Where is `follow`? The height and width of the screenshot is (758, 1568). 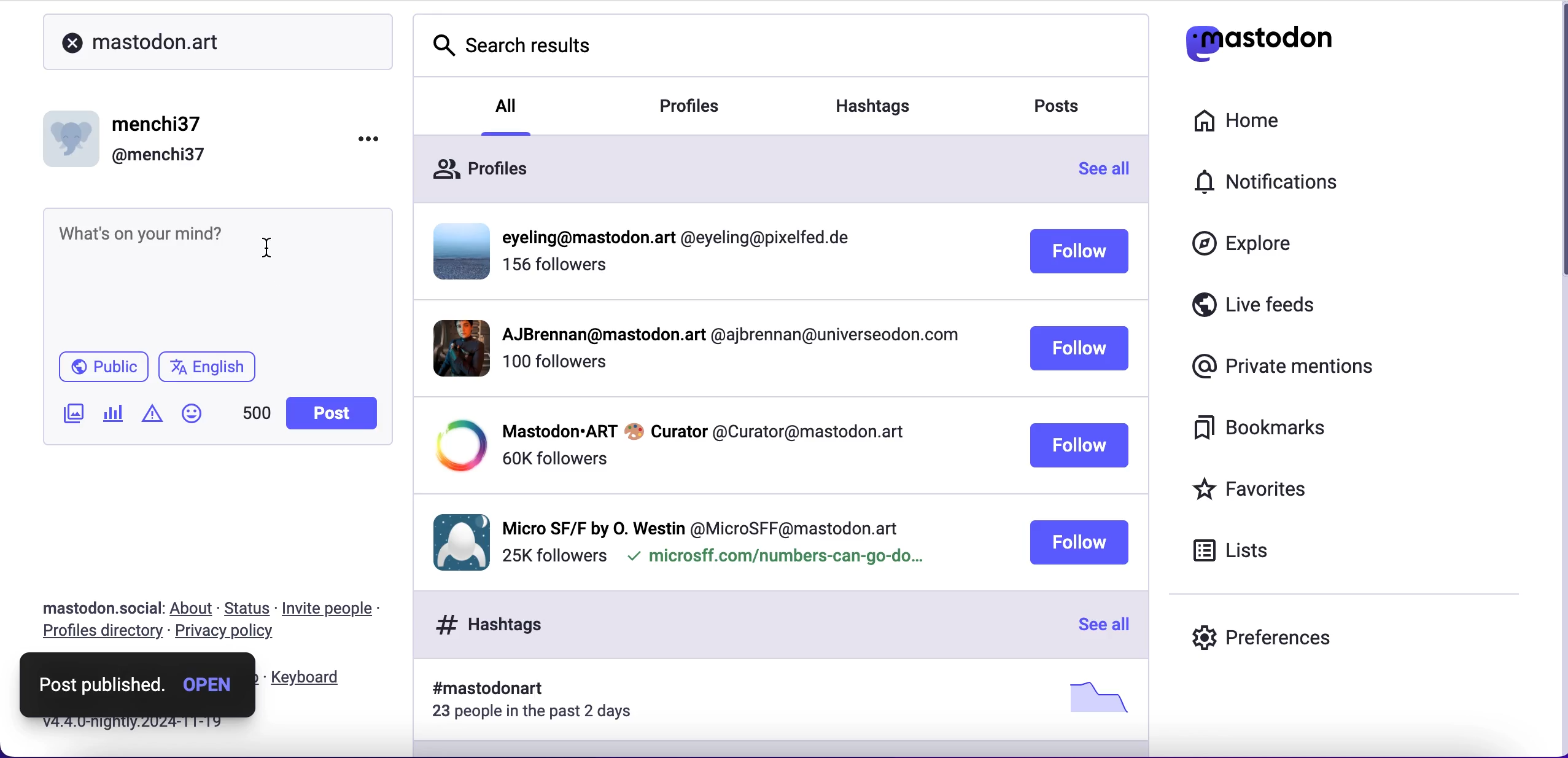
follow is located at coordinates (1079, 253).